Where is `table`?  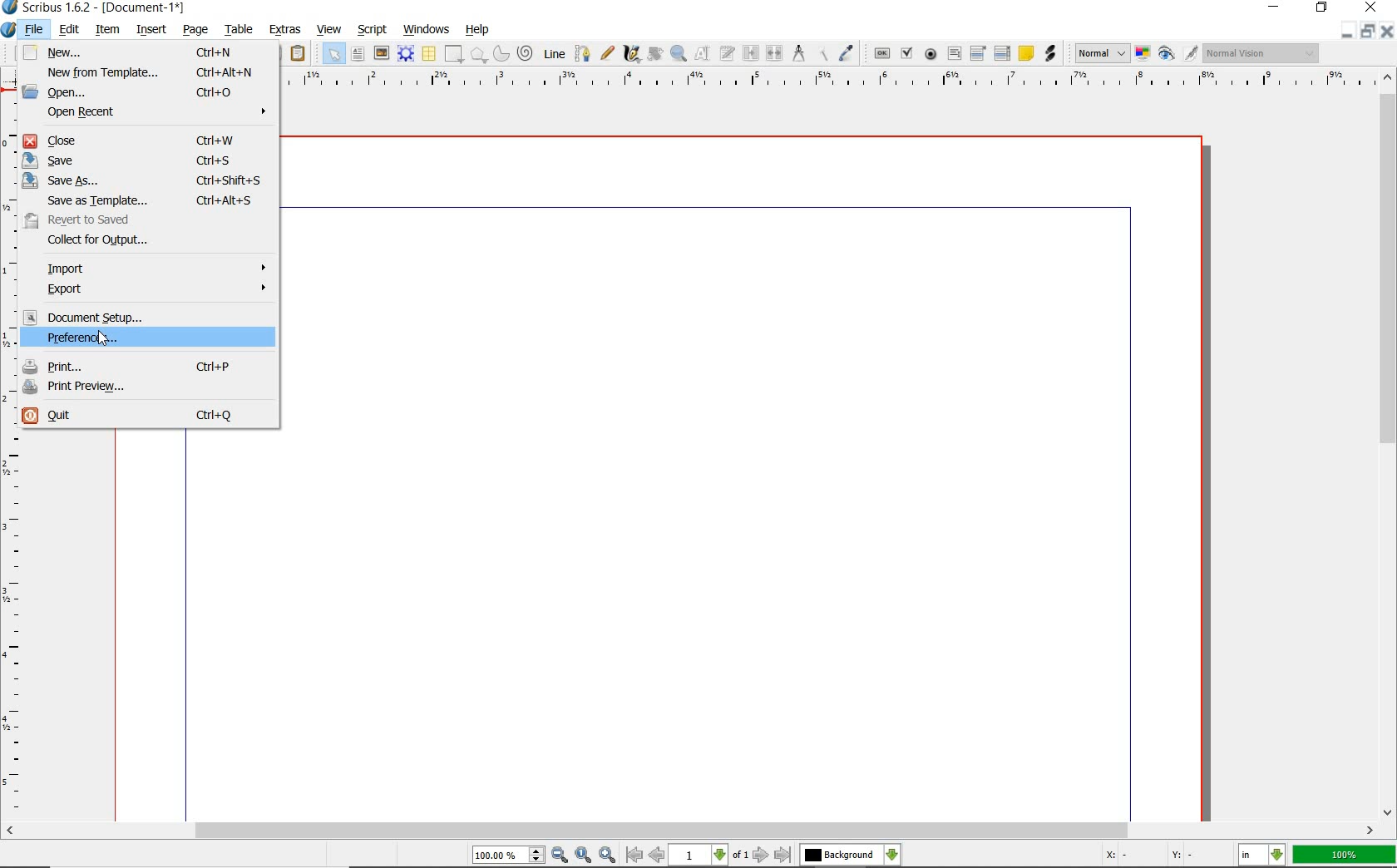
table is located at coordinates (429, 55).